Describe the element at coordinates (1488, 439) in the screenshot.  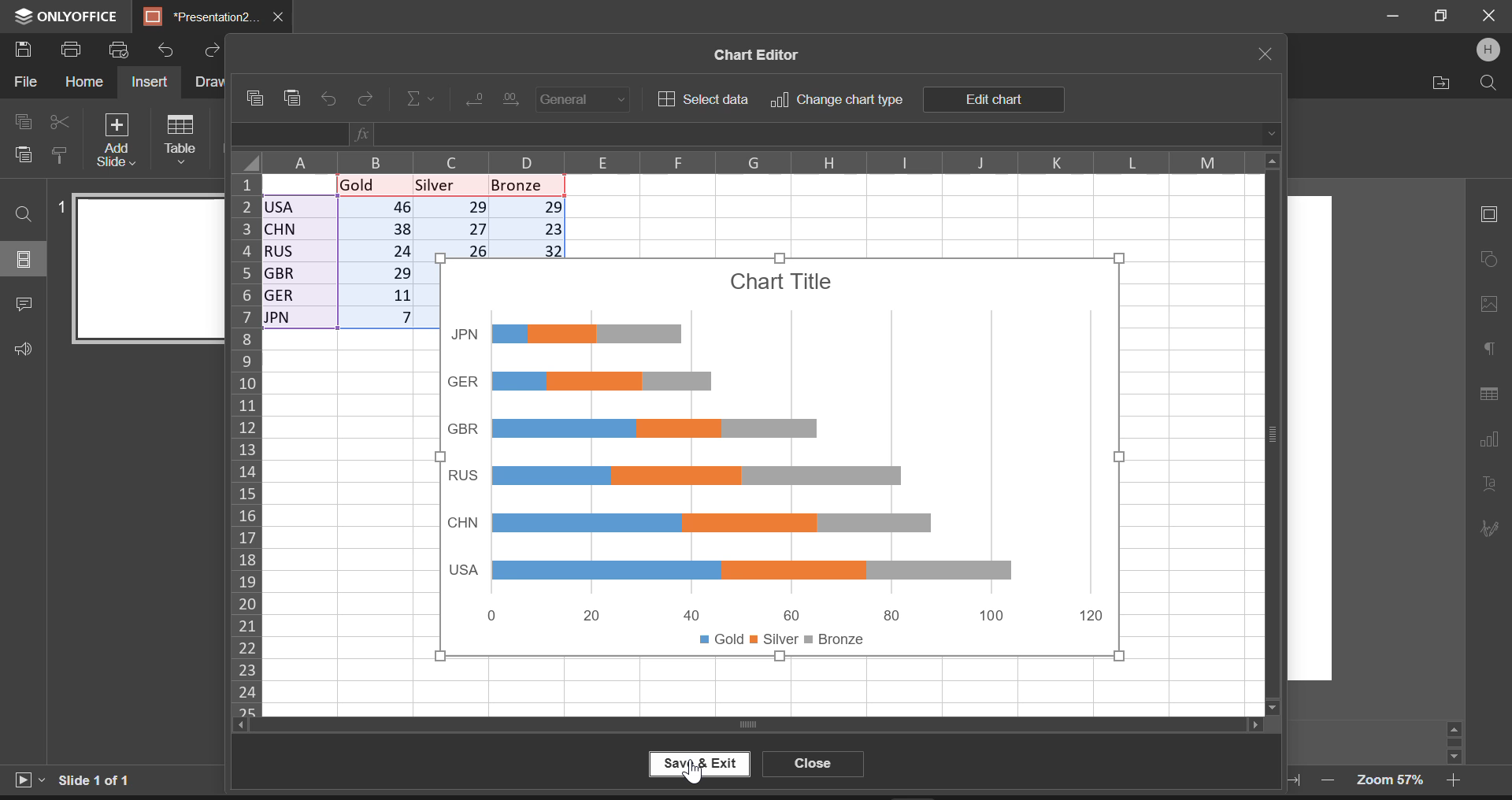
I see `Chart Settings` at that location.